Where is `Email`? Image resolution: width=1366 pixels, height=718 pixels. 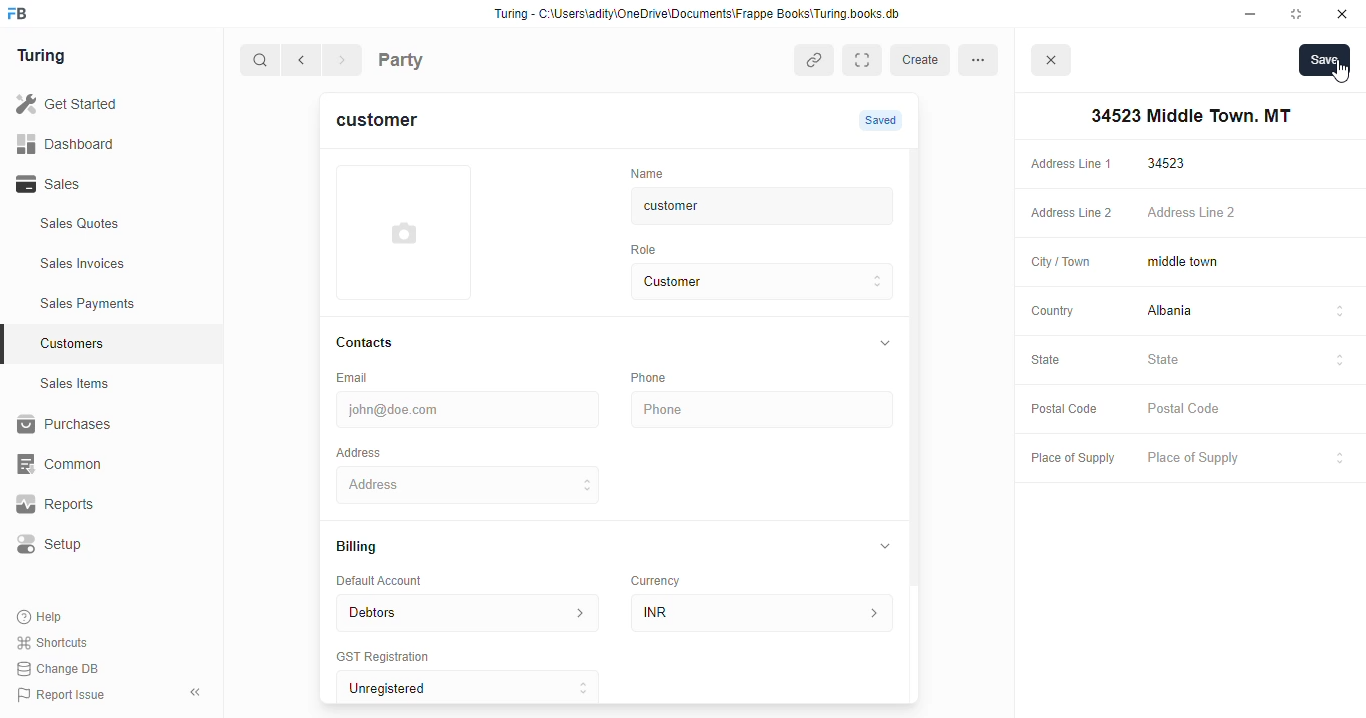
Email is located at coordinates (356, 376).